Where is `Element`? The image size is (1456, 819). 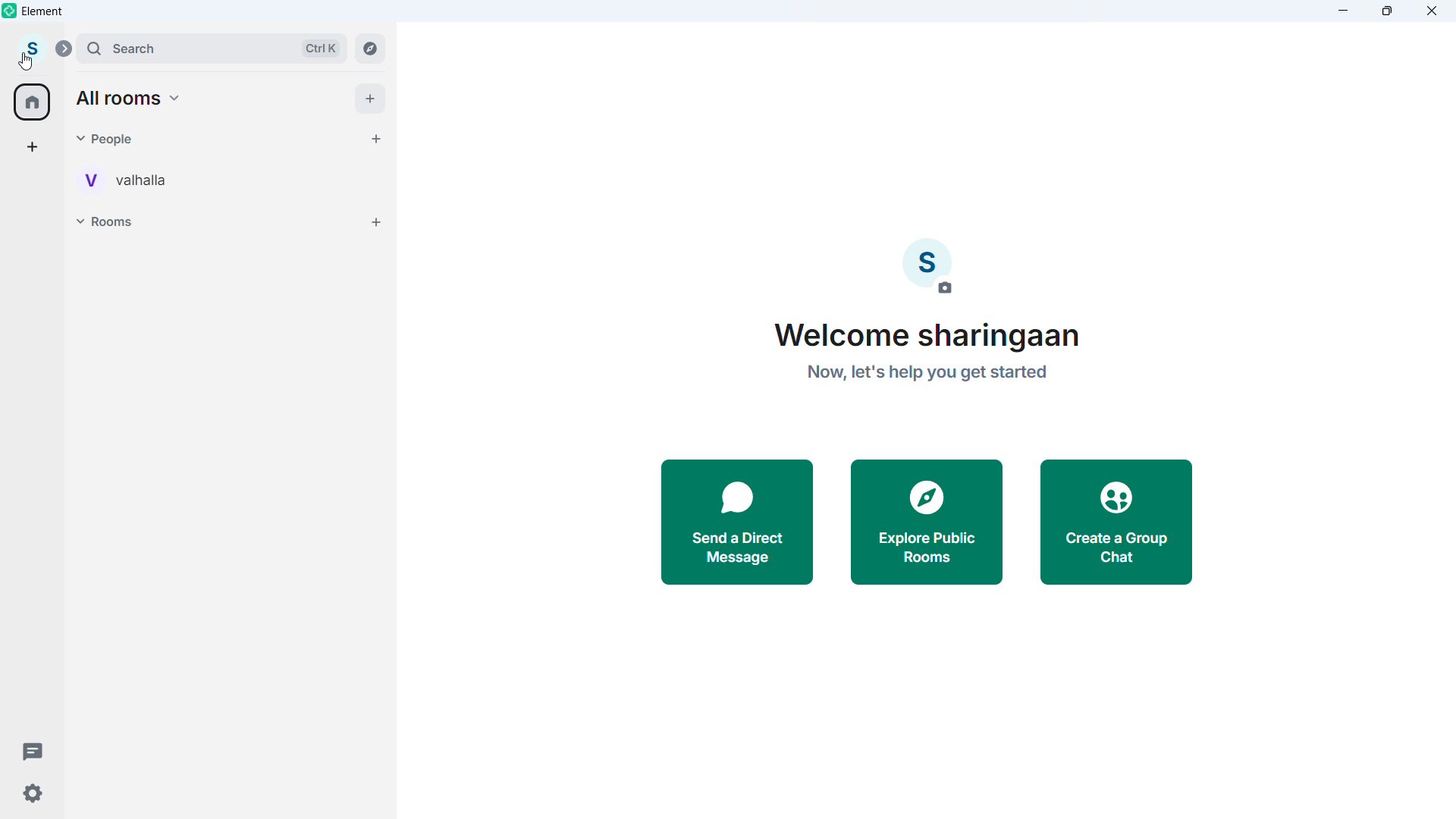 Element is located at coordinates (43, 11).